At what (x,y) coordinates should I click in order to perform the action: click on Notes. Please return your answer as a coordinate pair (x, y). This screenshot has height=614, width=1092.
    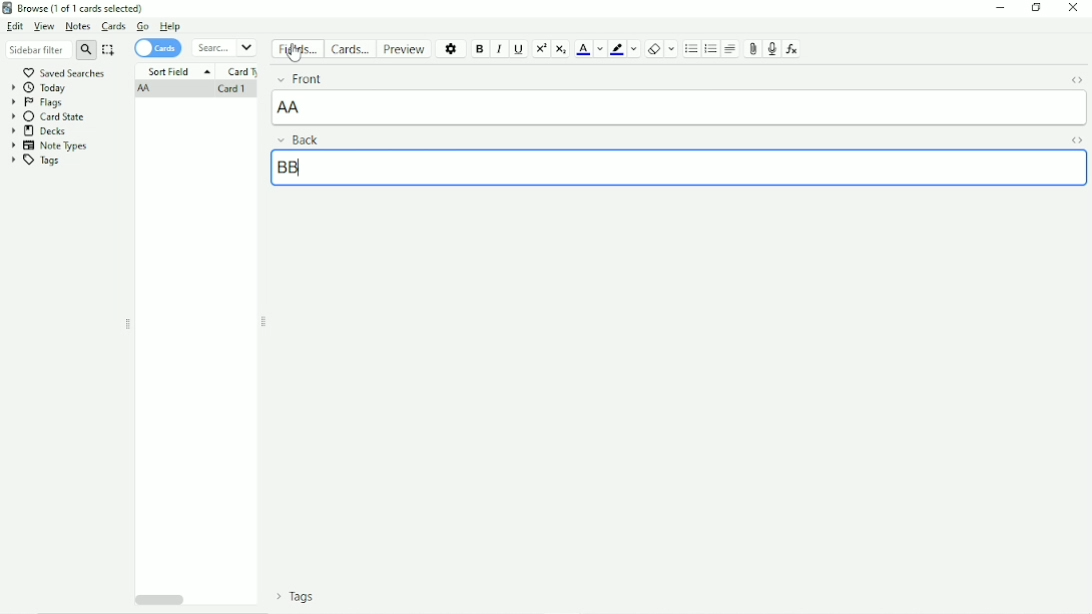
    Looking at the image, I should click on (78, 26).